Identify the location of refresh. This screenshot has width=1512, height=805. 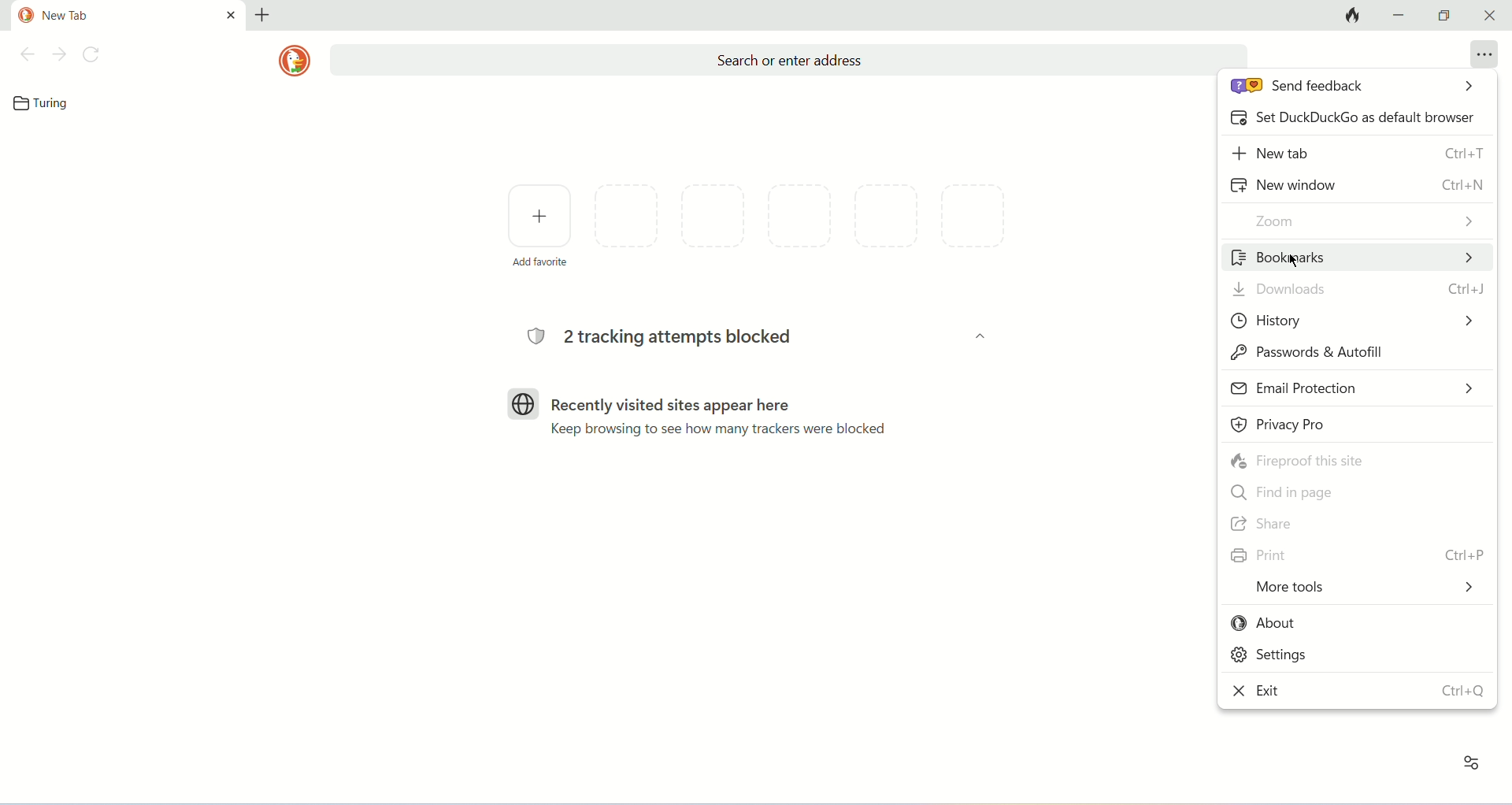
(92, 54).